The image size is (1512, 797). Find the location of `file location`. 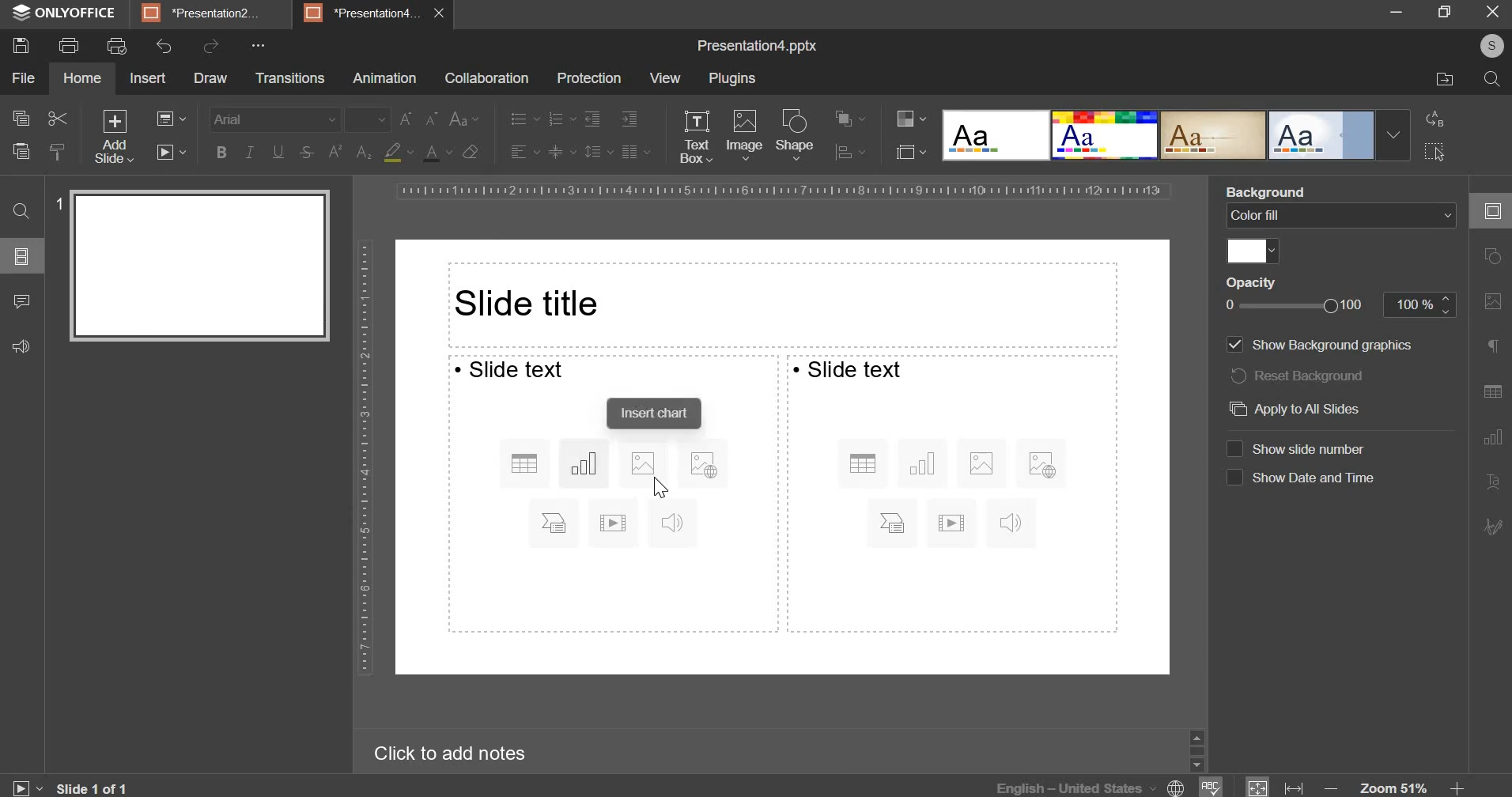

file location is located at coordinates (1445, 80).